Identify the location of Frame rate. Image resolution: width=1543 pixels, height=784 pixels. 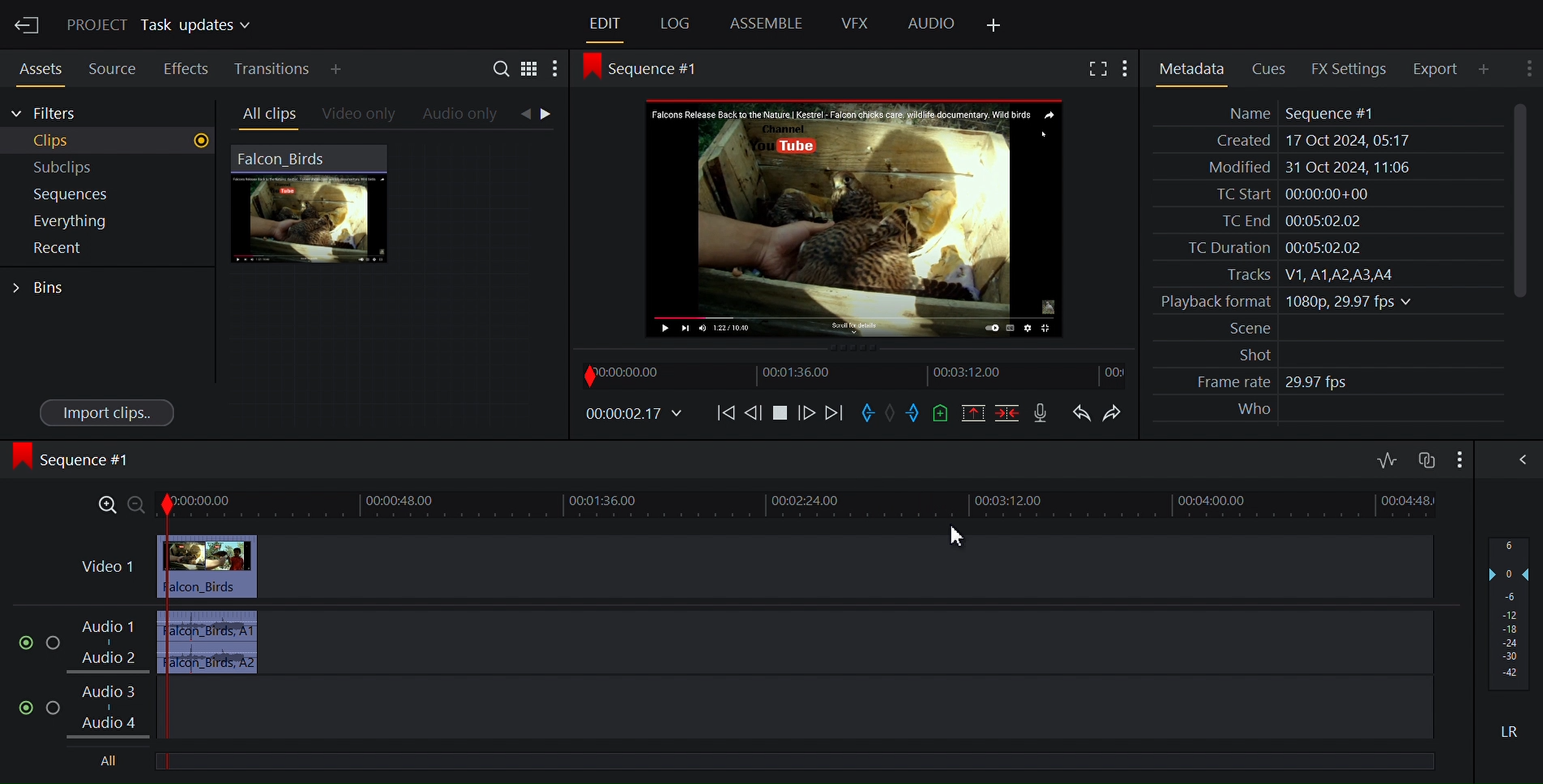
(1225, 382).